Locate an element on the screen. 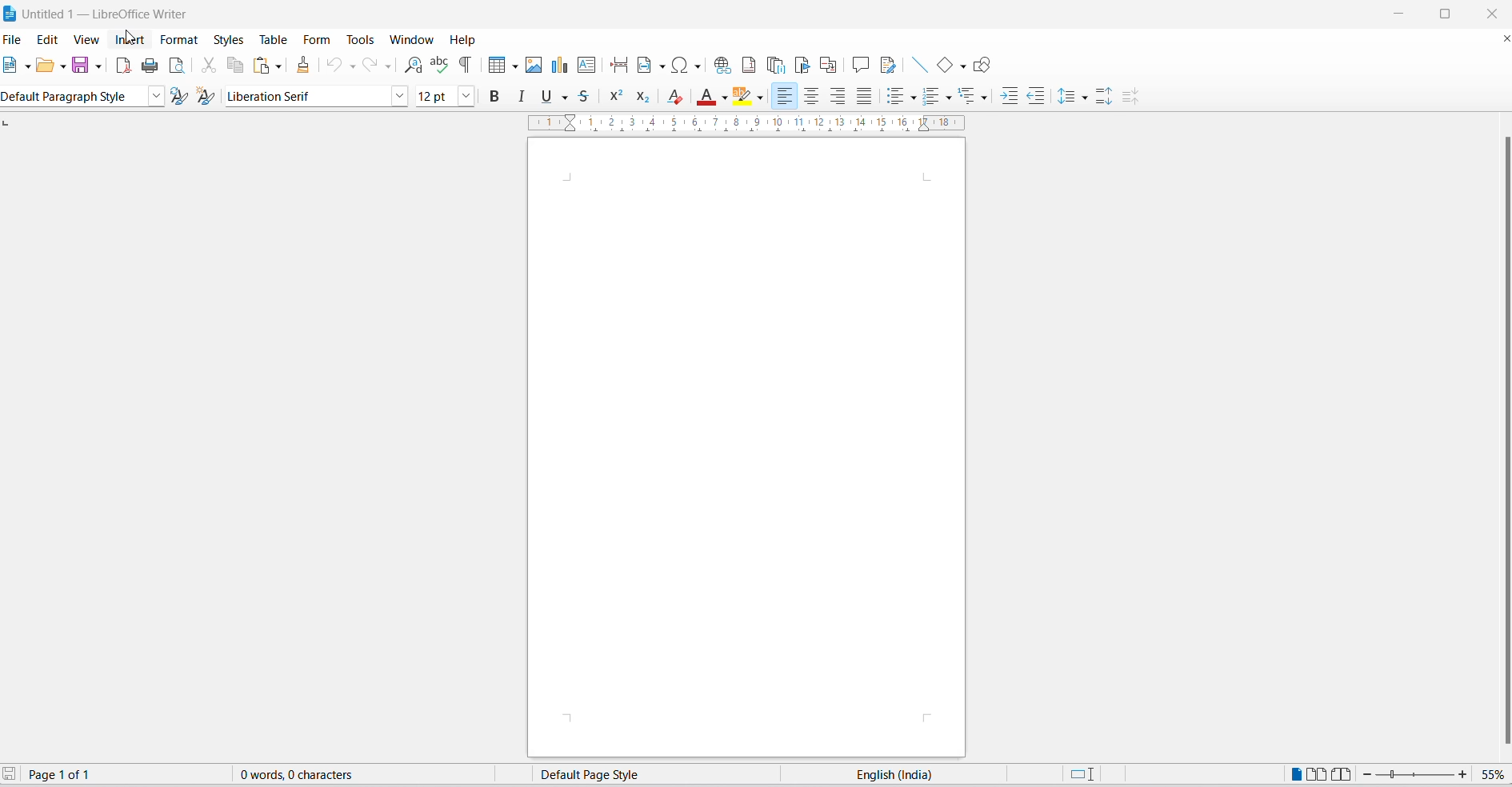  close is located at coordinates (1489, 12).